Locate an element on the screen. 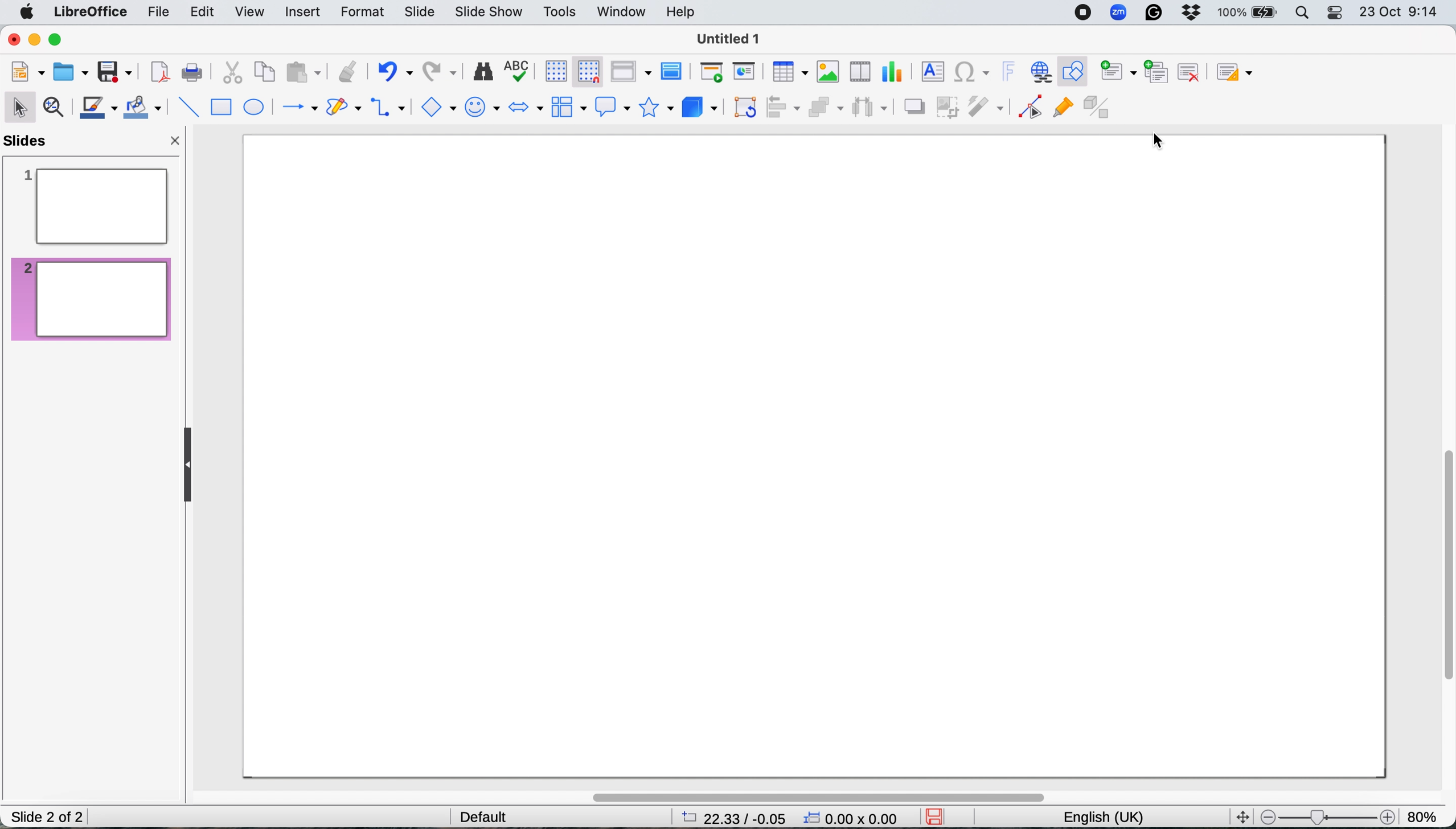 The height and width of the screenshot is (829, 1456). find and replace is located at coordinates (483, 73).